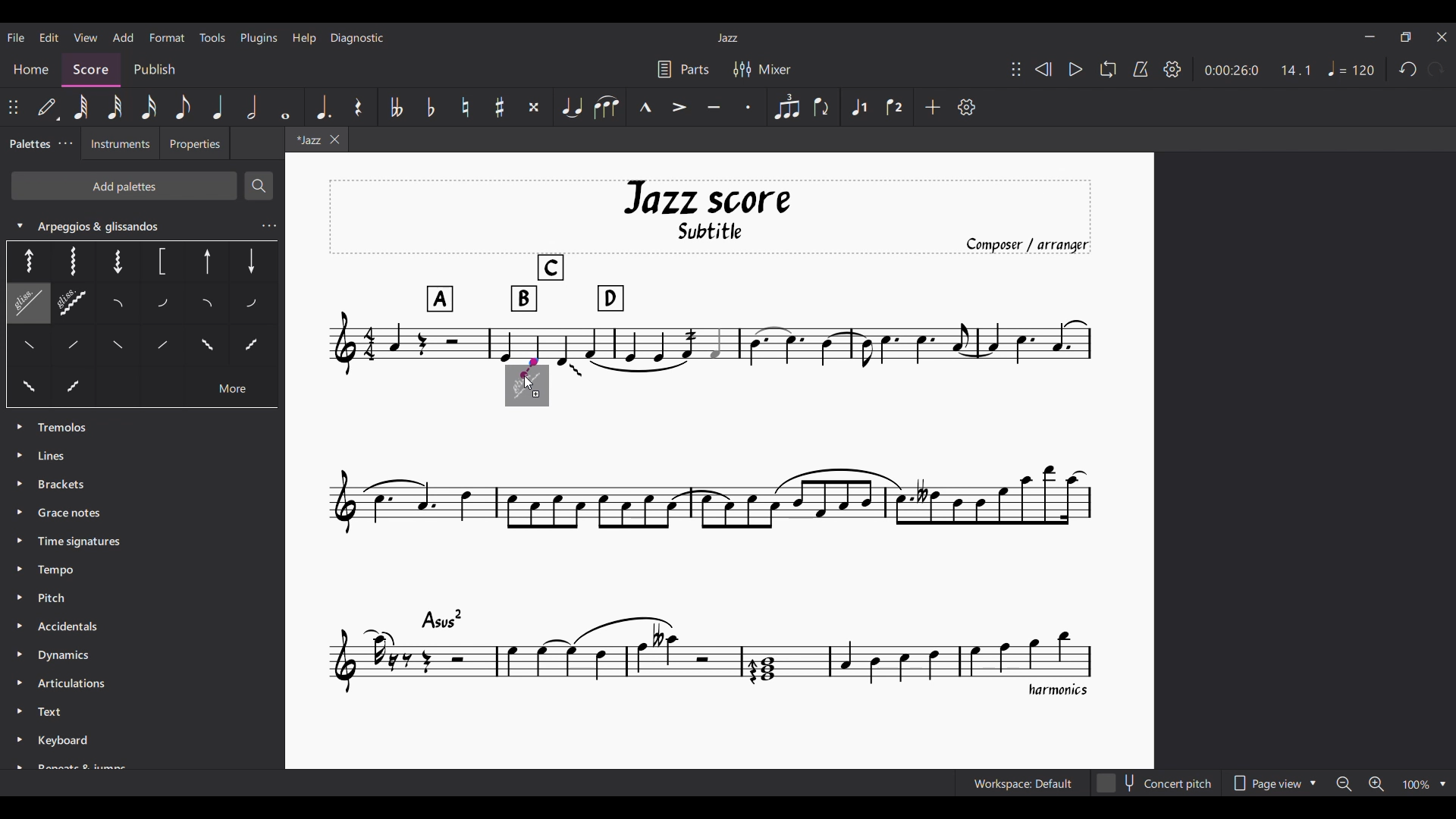 The width and height of the screenshot is (1456, 819). What do you see at coordinates (58, 571) in the screenshot?
I see `Tempo` at bounding box center [58, 571].